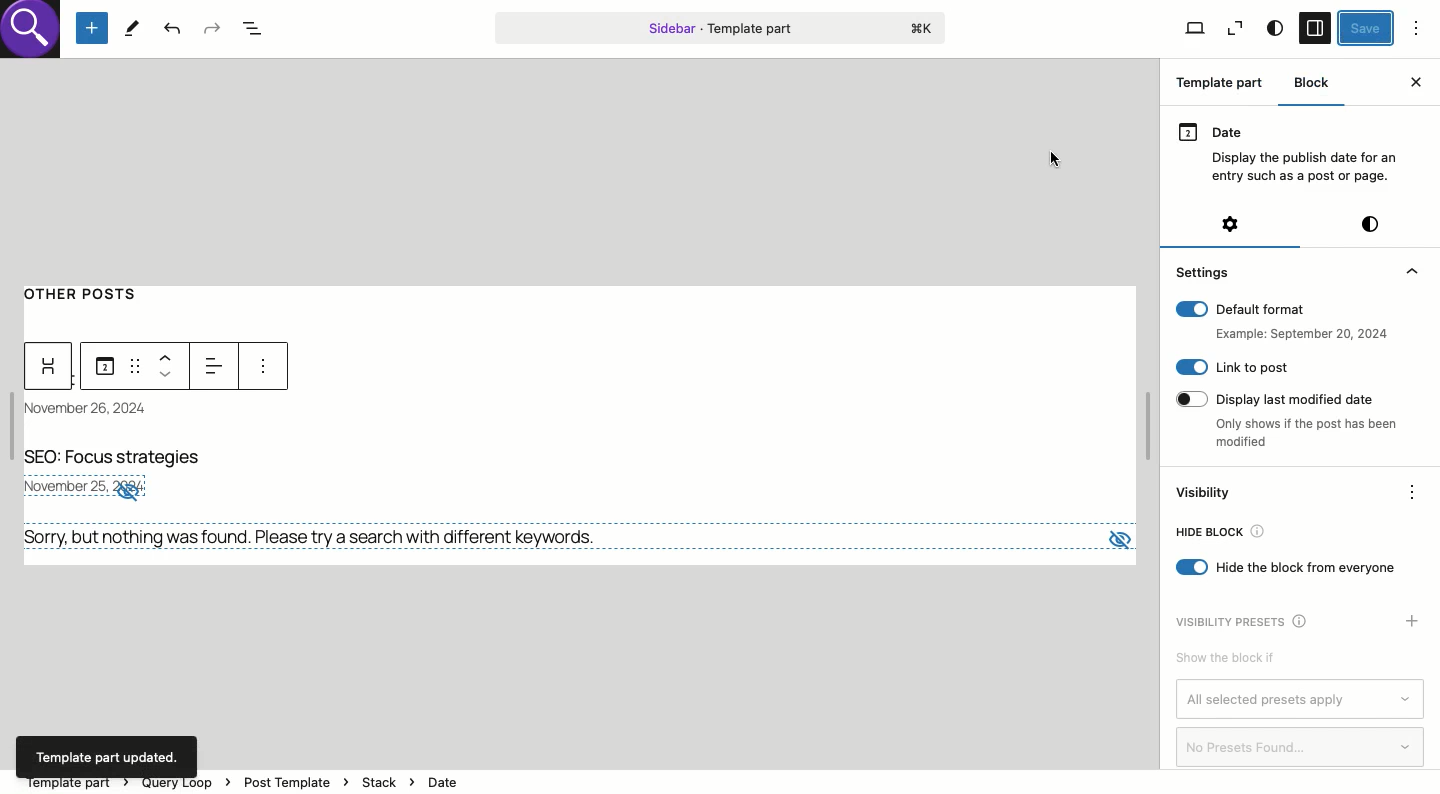  Describe the element at coordinates (1232, 367) in the screenshot. I see `Link to post` at that location.